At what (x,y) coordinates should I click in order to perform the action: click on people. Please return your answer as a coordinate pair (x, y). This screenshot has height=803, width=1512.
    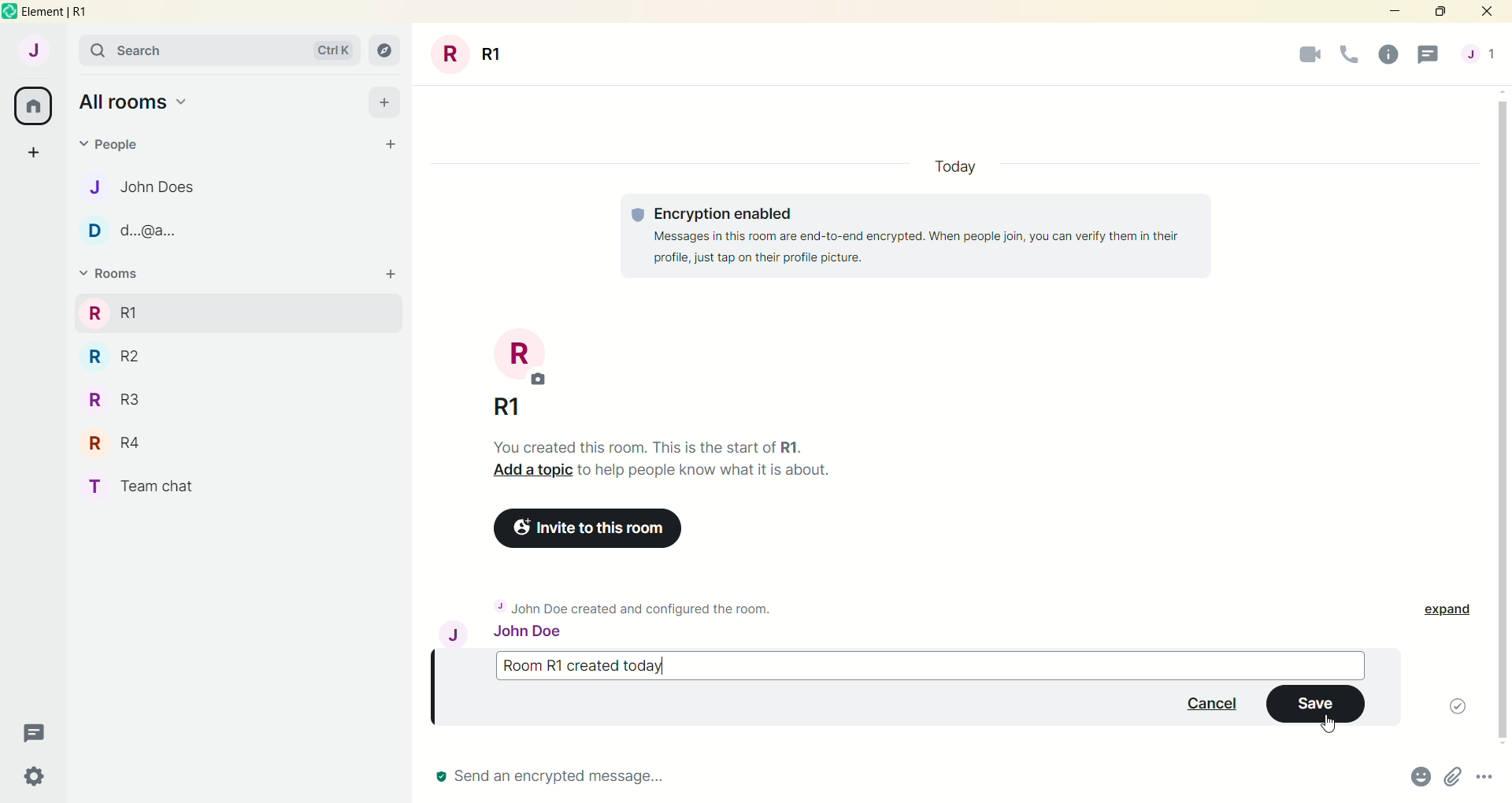
    Looking at the image, I should click on (113, 148).